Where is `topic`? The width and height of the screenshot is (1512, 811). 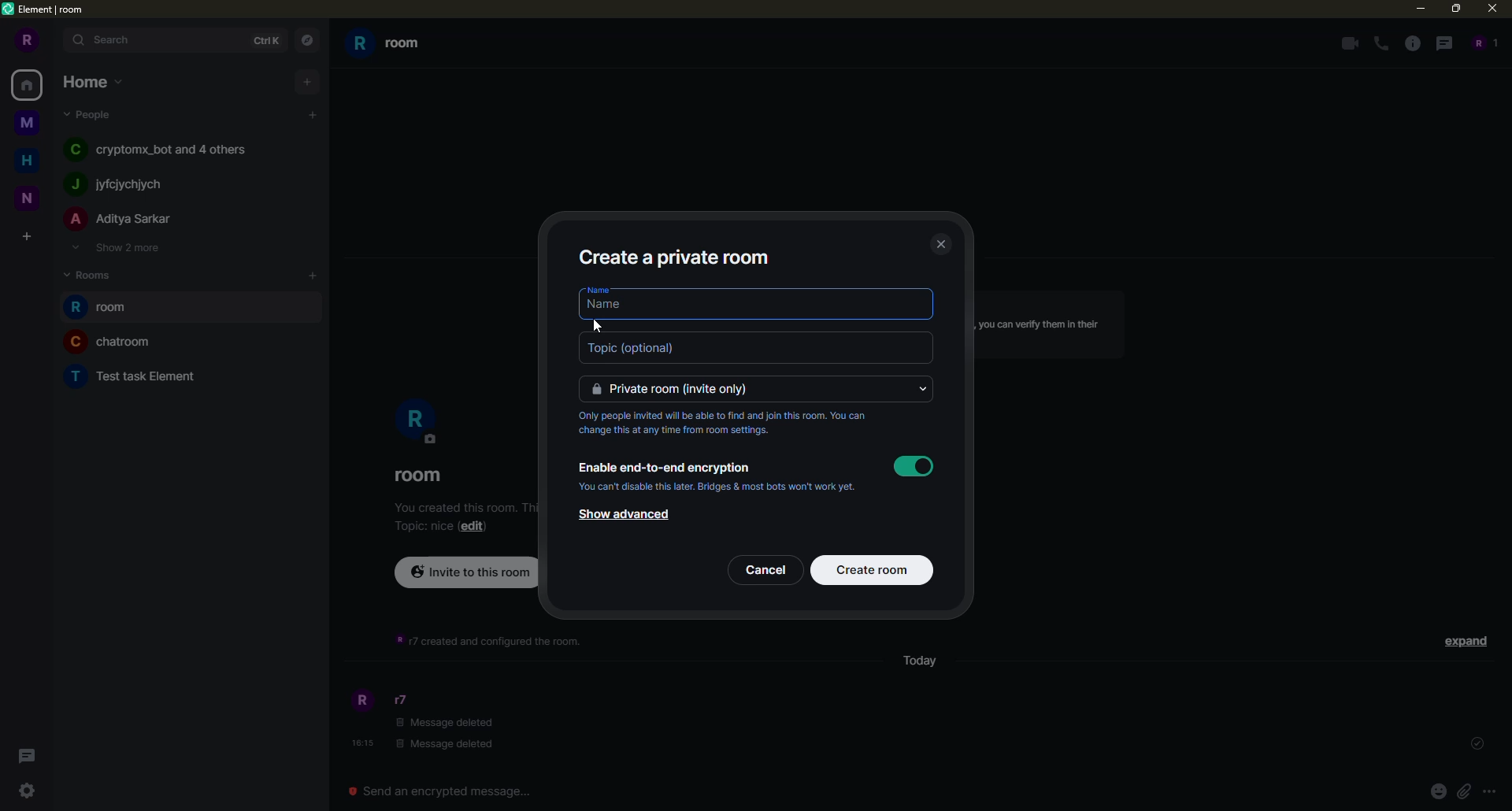
topic is located at coordinates (758, 346).